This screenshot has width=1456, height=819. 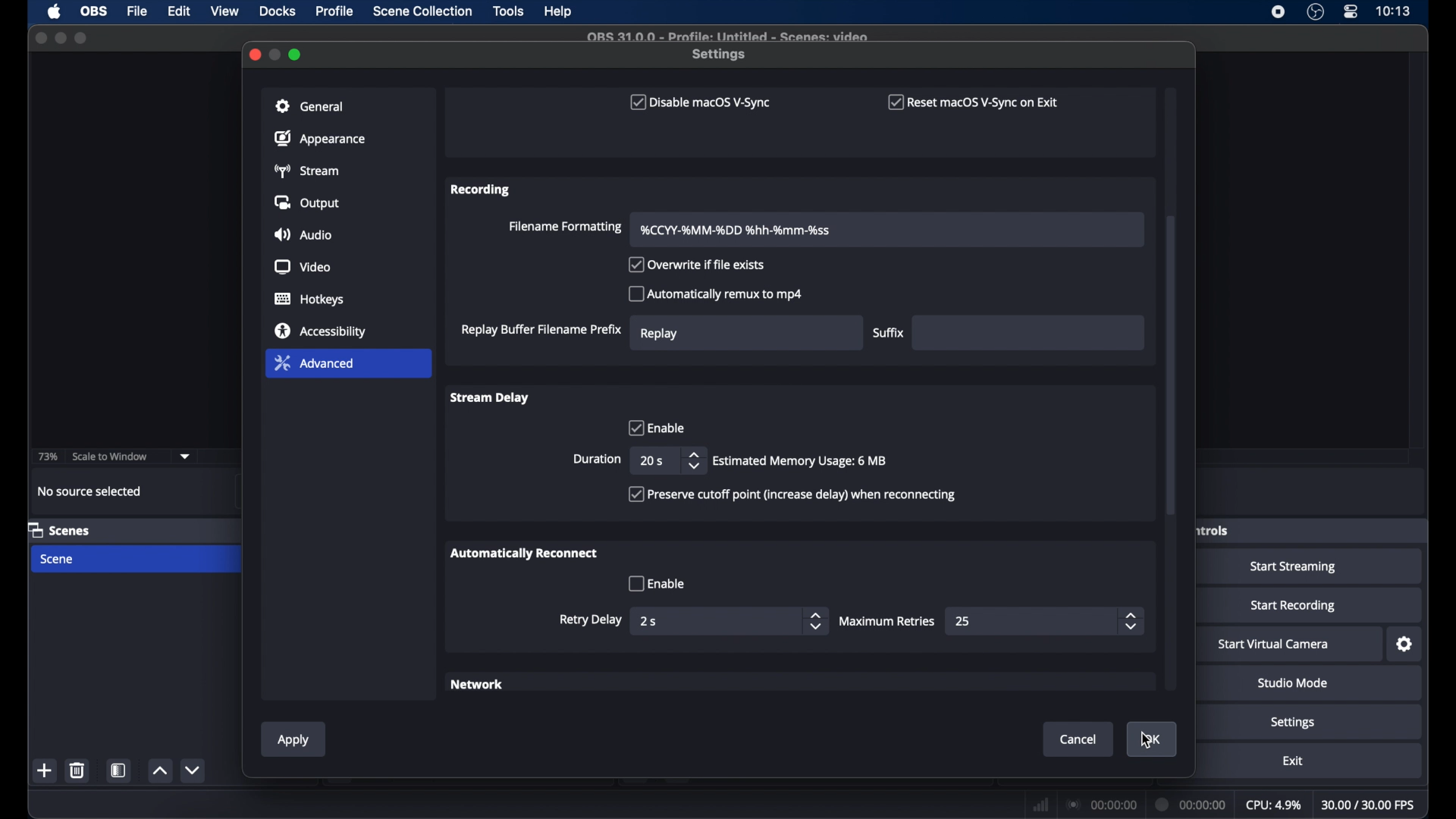 What do you see at coordinates (1294, 606) in the screenshot?
I see `start recording` at bounding box center [1294, 606].